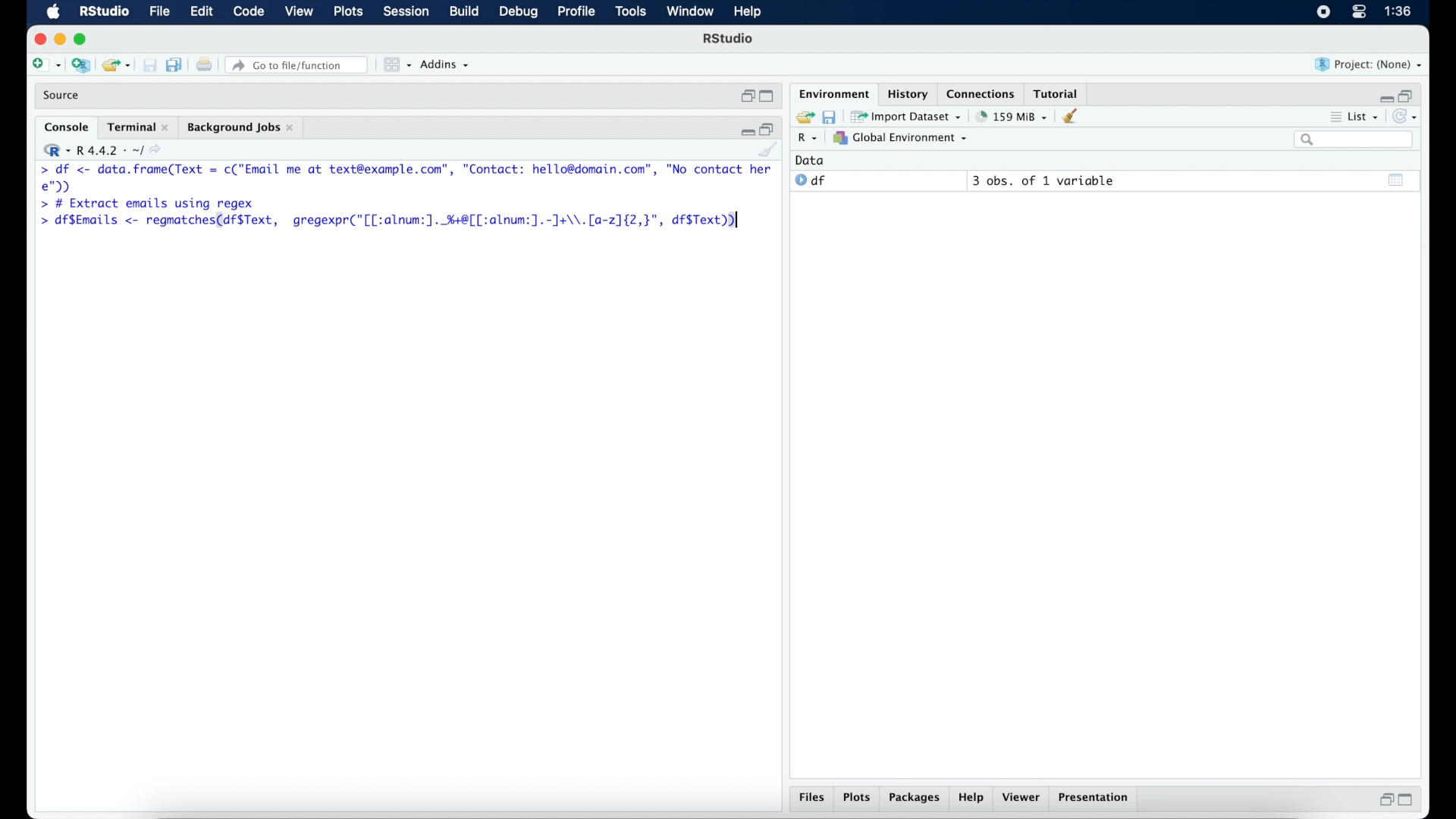  What do you see at coordinates (691, 13) in the screenshot?
I see `window` at bounding box center [691, 13].